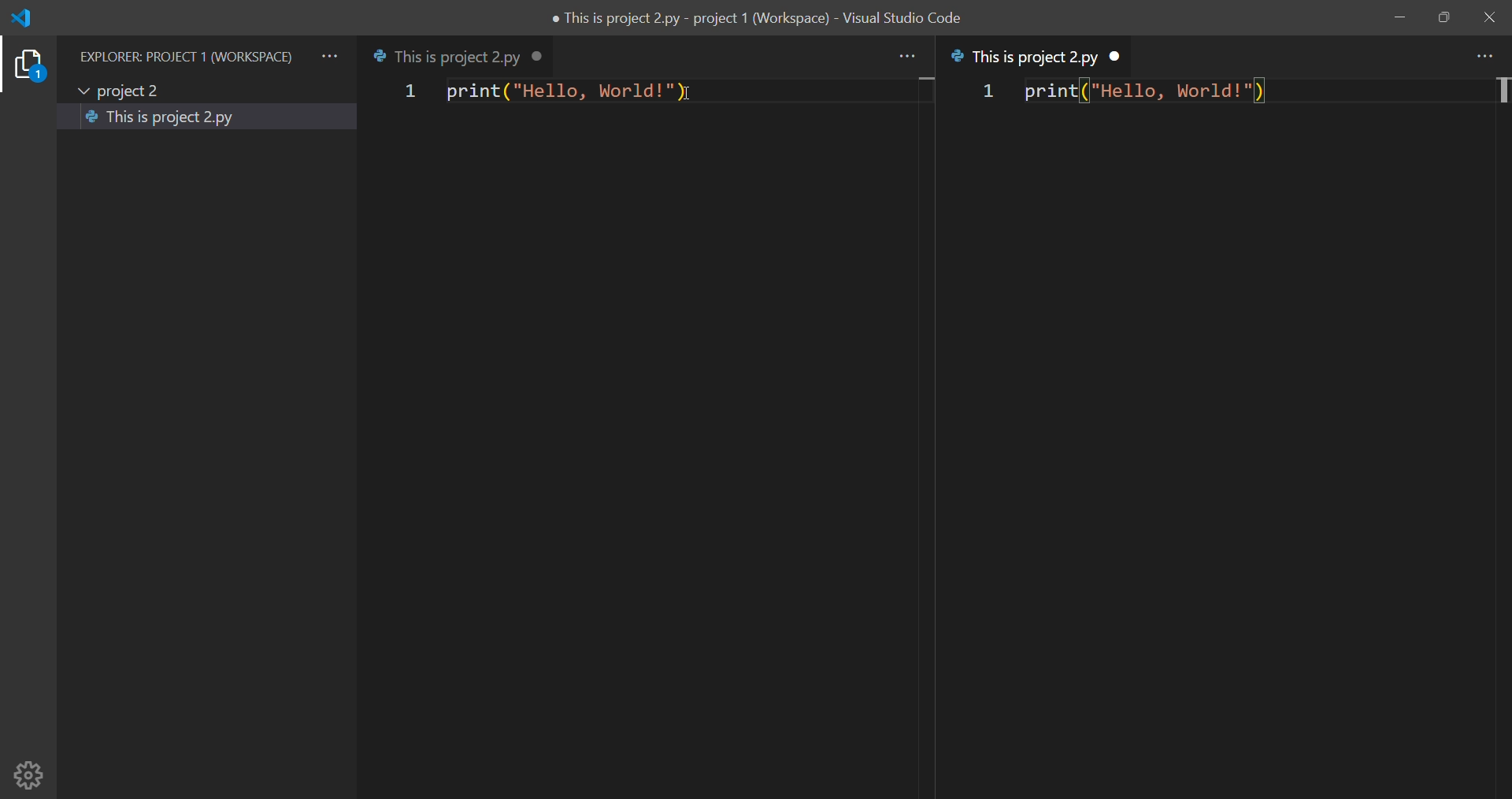 The width and height of the screenshot is (1512, 799). What do you see at coordinates (161, 119) in the screenshot?
I see `This is project 2.py` at bounding box center [161, 119].